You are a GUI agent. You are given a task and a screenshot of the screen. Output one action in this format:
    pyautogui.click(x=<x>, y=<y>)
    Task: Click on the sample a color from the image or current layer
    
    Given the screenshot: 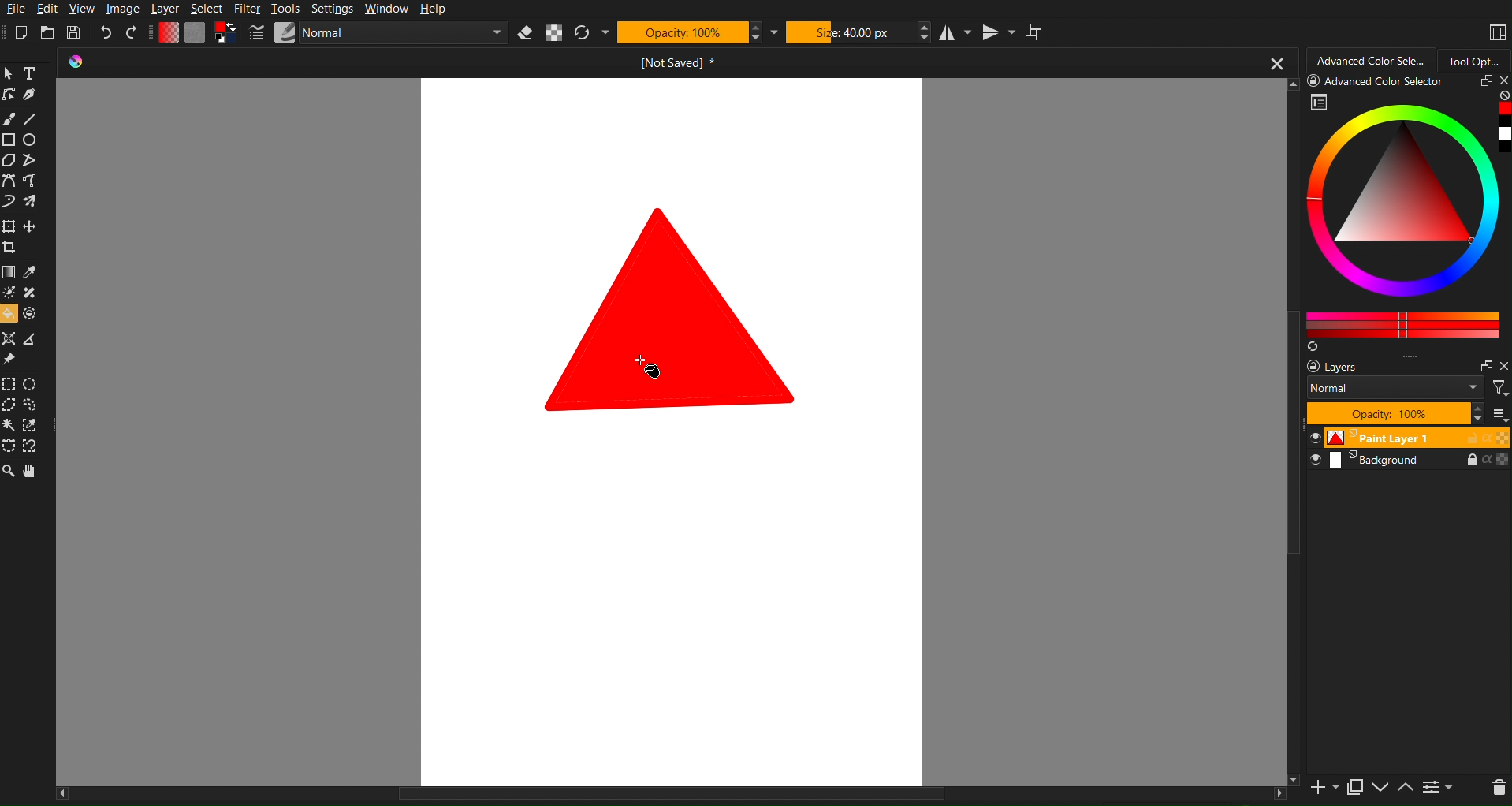 What is the action you would take?
    pyautogui.click(x=31, y=272)
    